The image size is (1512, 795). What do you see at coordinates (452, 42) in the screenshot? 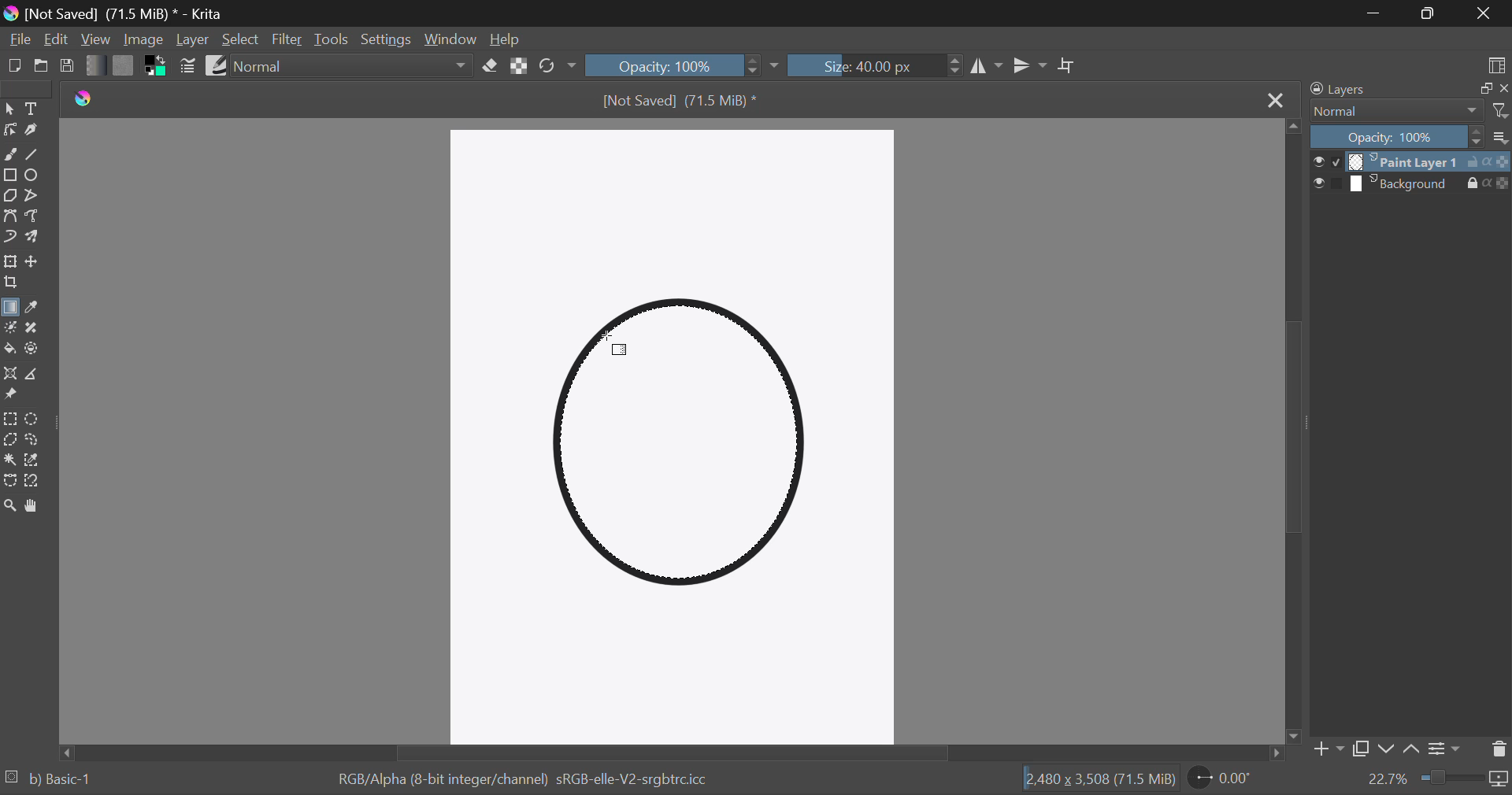
I see `Window` at bounding box center [452, 42].